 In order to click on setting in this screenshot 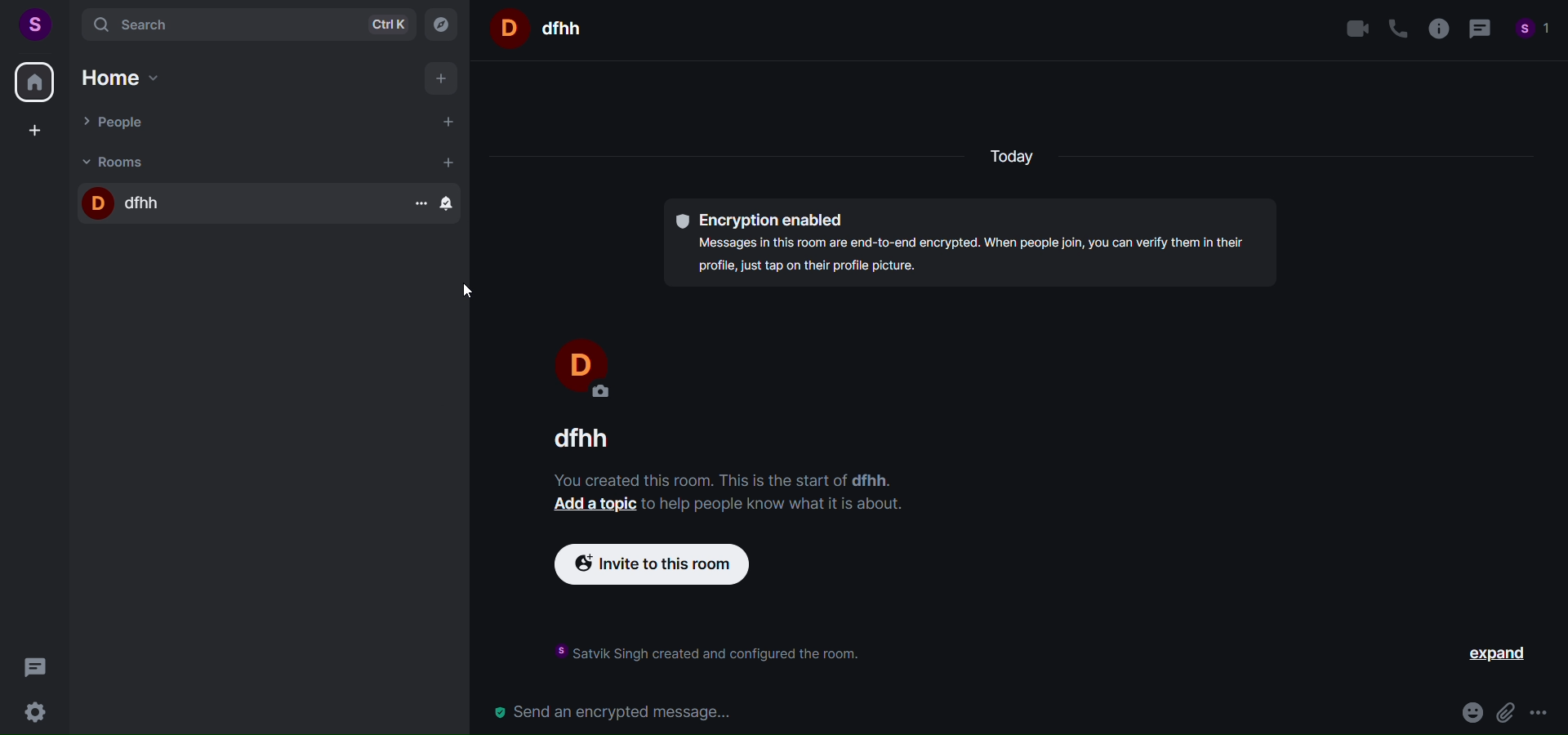, I will do `click(33, 712)`.